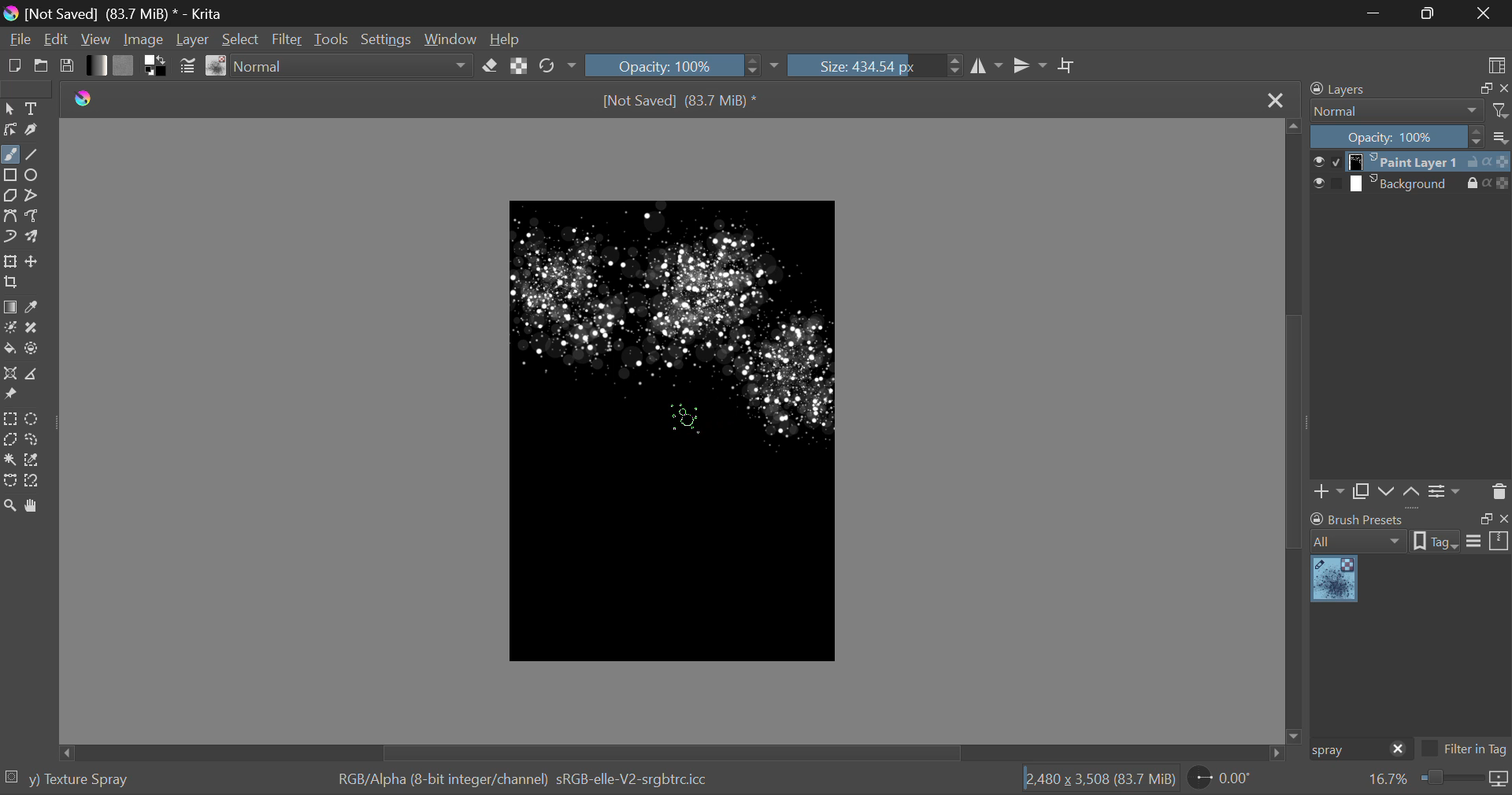 Image resolution: width=1512 pixels, height=795 pixels. What do you see at coordinates (676, 752) in the screenshot?
I see `Scroll Bar` at bounding box center [676, 752].